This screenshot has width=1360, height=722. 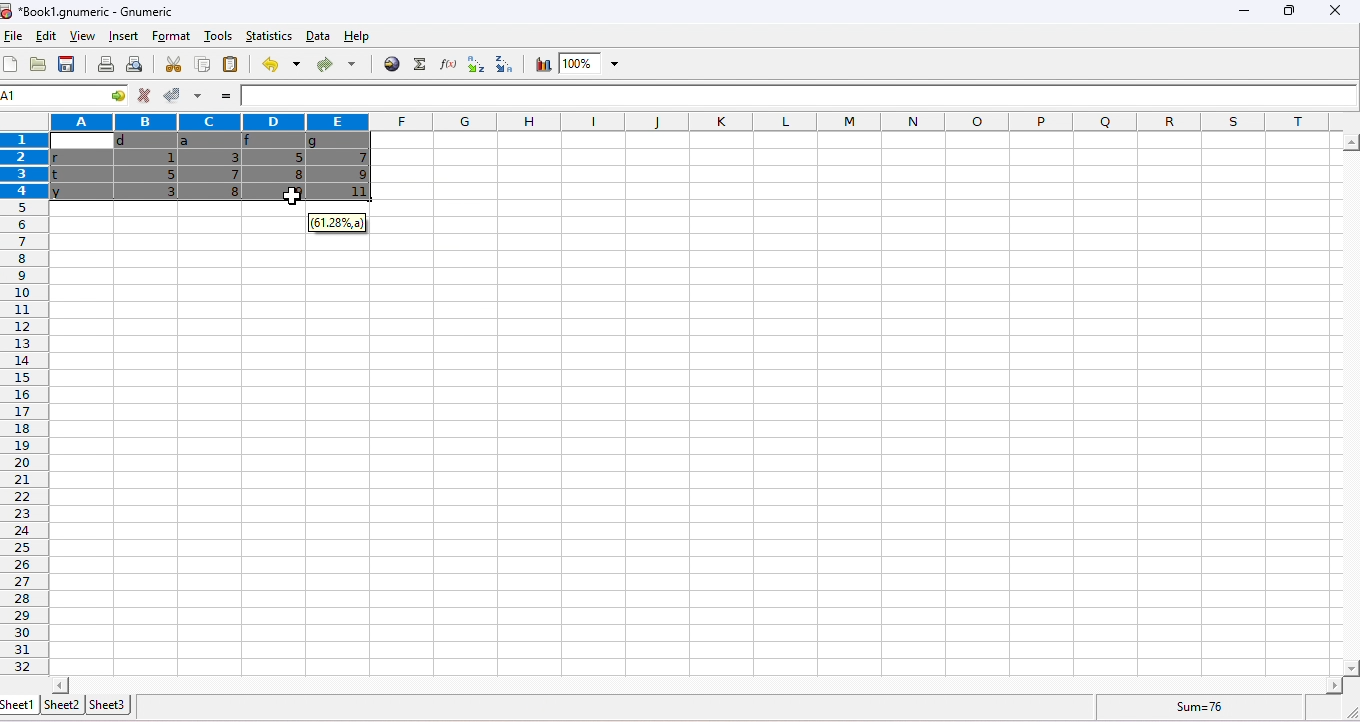 What do you see at coordinates (12, 65) in the screenshot?
I see `new` at bounding box center [12, 65].